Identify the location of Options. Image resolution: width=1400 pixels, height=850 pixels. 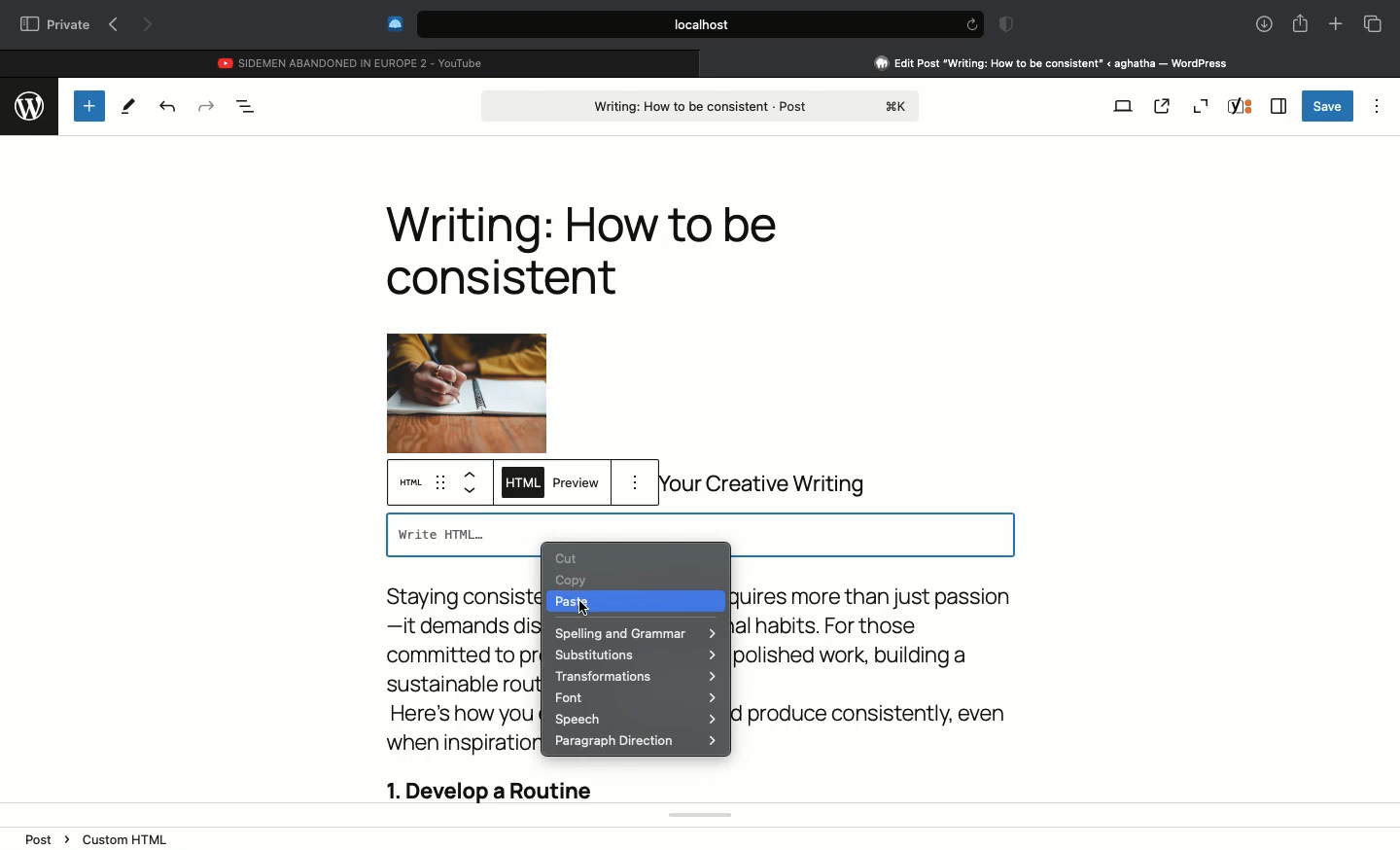
(1379, 103).